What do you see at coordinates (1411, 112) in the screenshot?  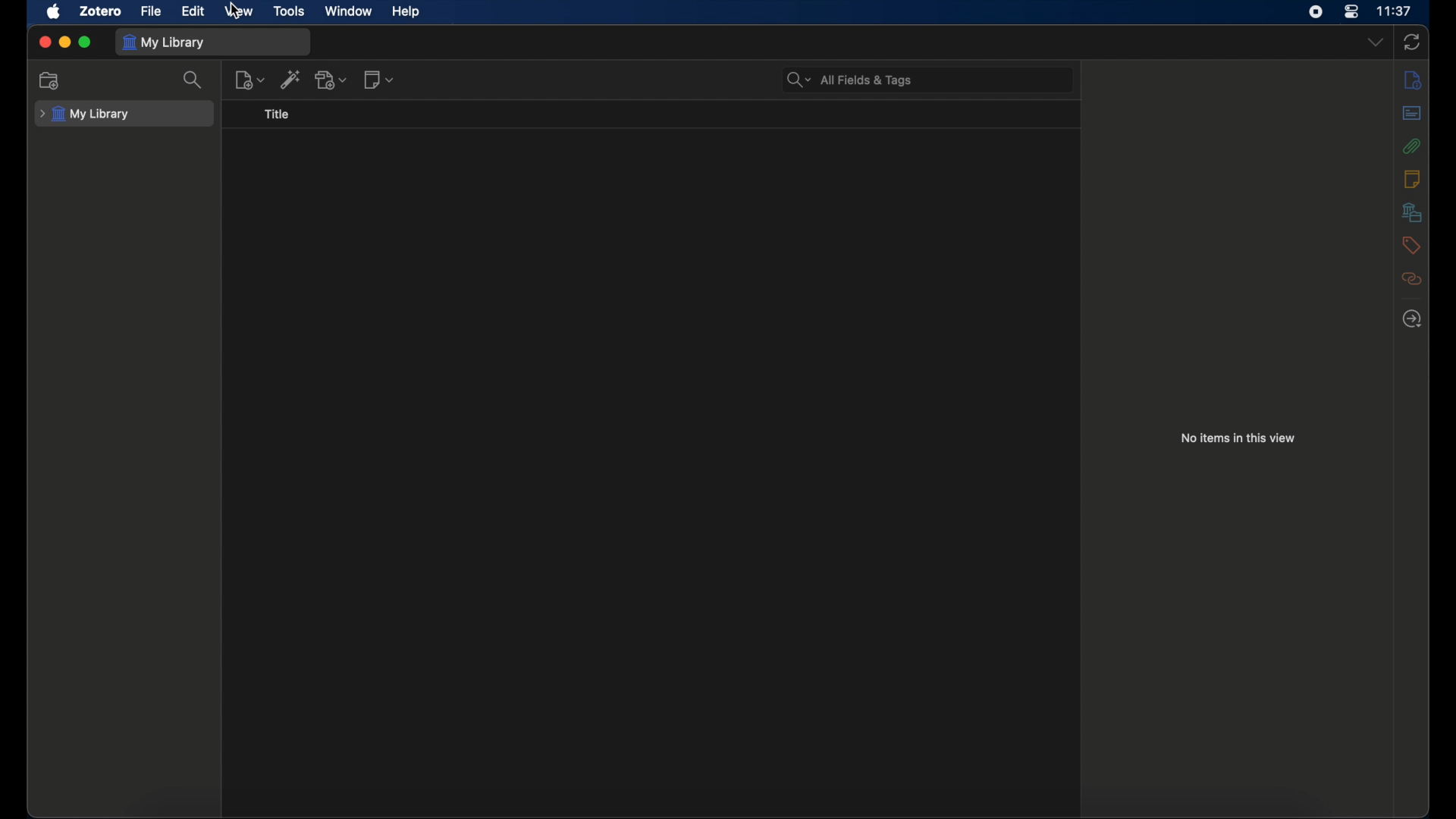 I see `abstract` at bounding box center [1411, 112].